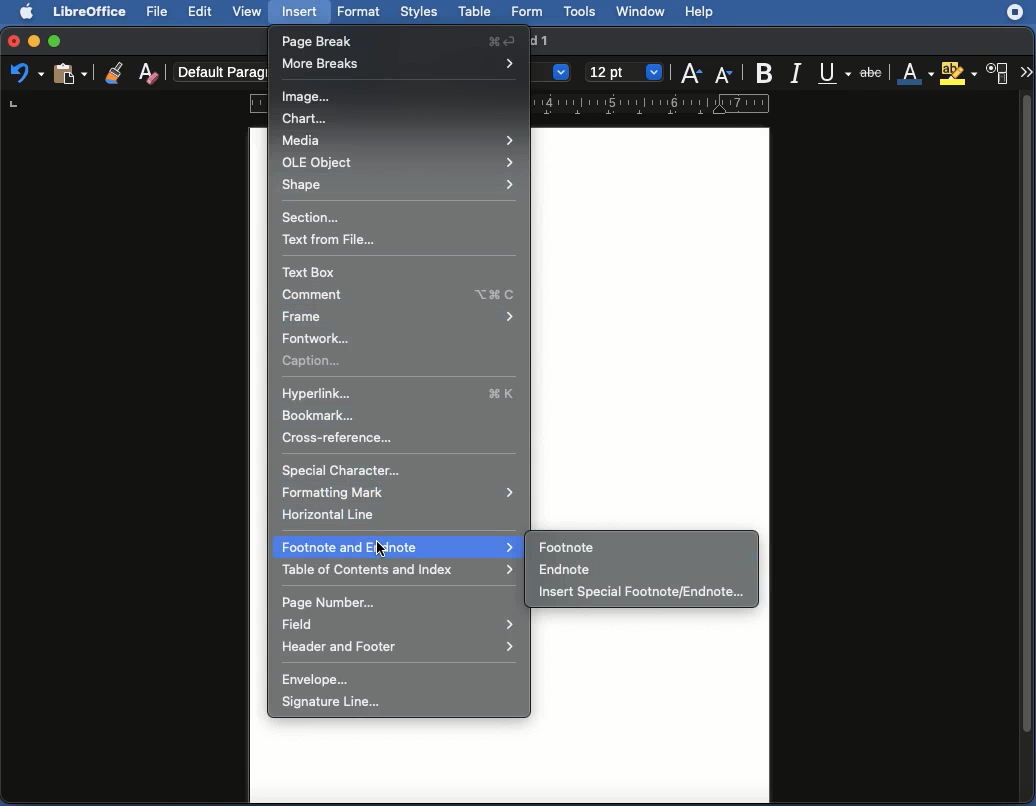 This screenshot has width=1036, height=806. Describe the element at coordinates (399, 315) in the screenshot. I see `Frame` at that location.